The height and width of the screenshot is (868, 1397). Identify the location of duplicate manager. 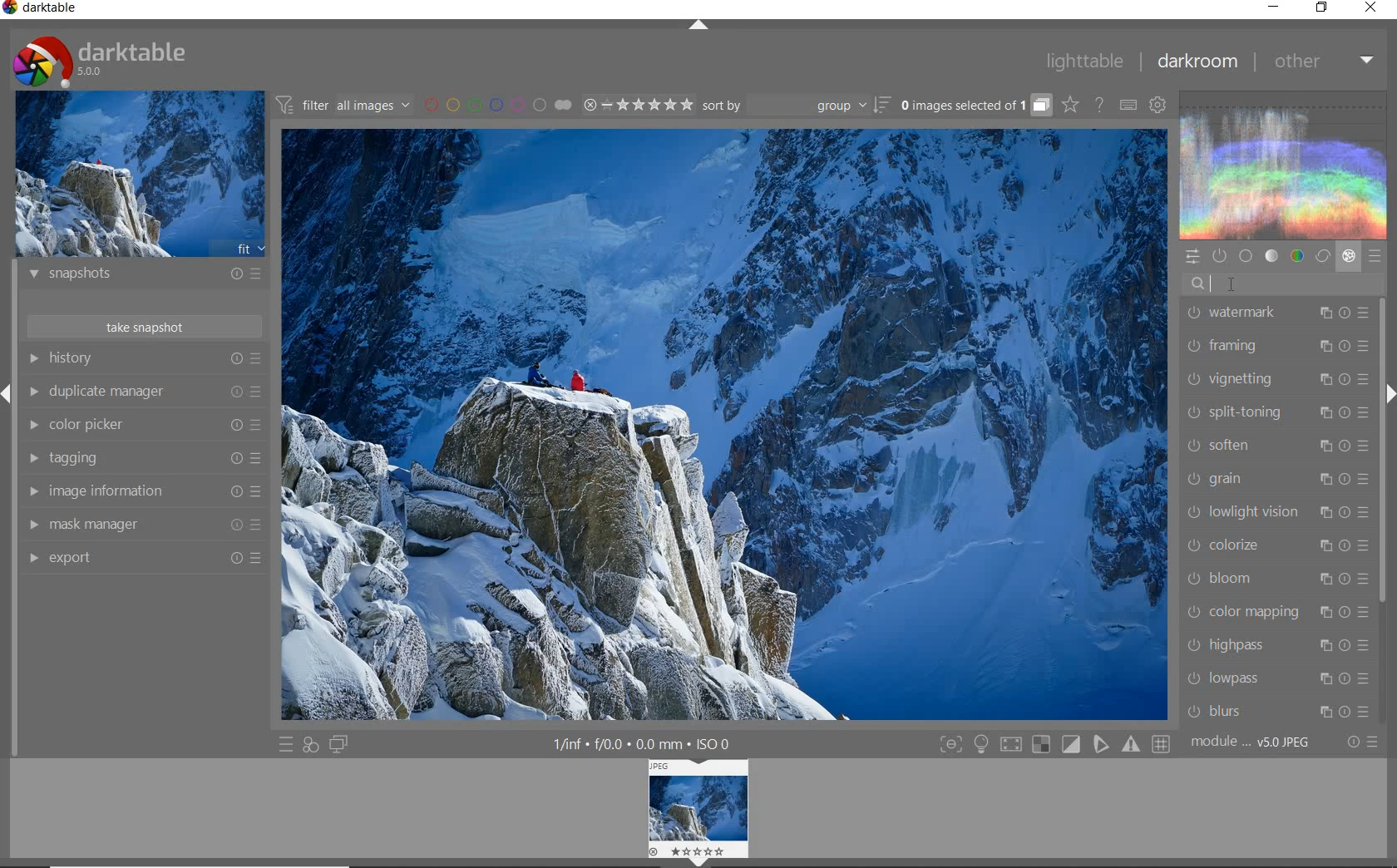
(143, 392).